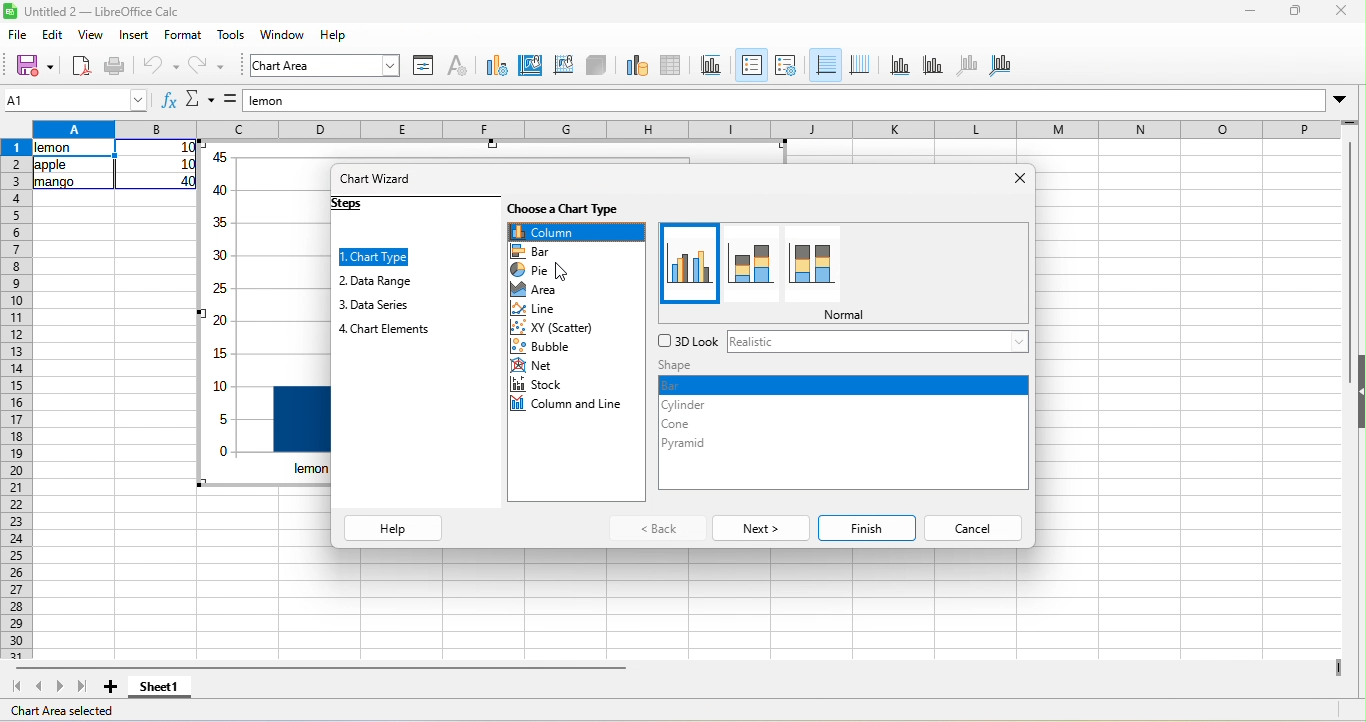 The width and height of the screenshot is (1366, 722). What do you see at coordinates (713, 64) in the screenshot?
I see `titles` at bounding box center [713, 64].